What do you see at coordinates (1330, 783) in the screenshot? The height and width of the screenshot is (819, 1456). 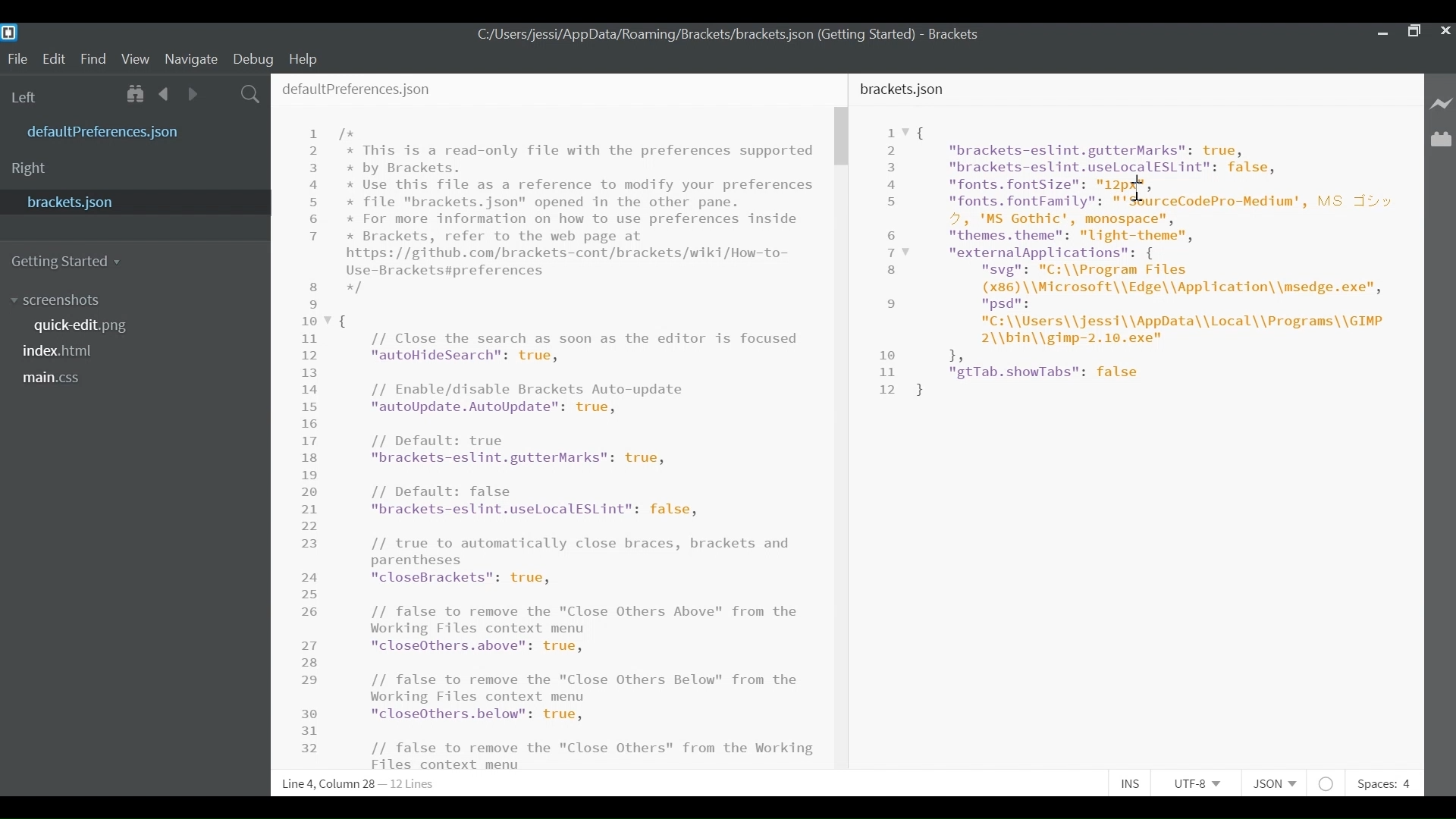 I see `No lintel Available for JSON` at bounding box center [1330, 783].